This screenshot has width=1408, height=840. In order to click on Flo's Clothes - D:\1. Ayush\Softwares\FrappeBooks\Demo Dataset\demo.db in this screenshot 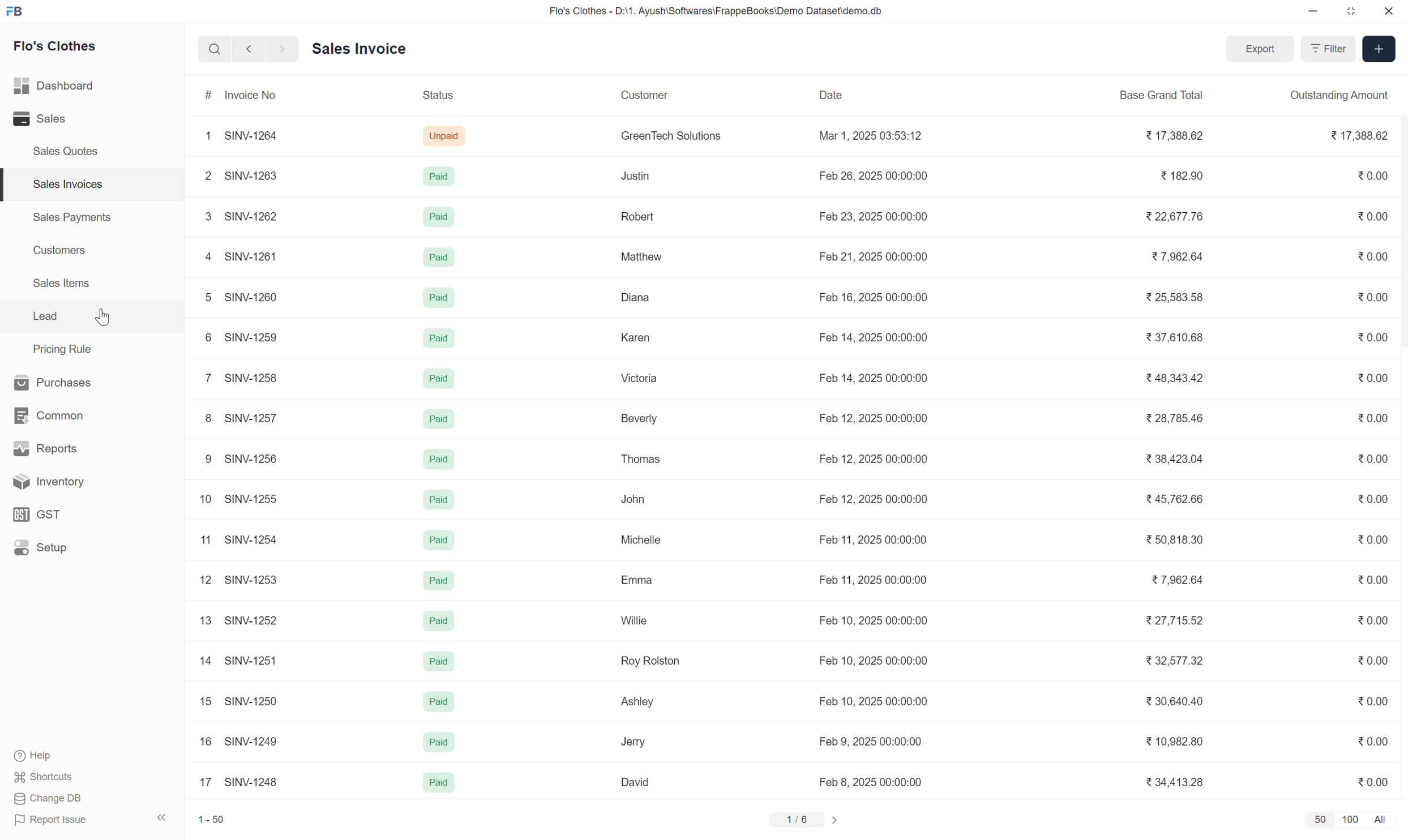, I will do `click(717, 10)`.